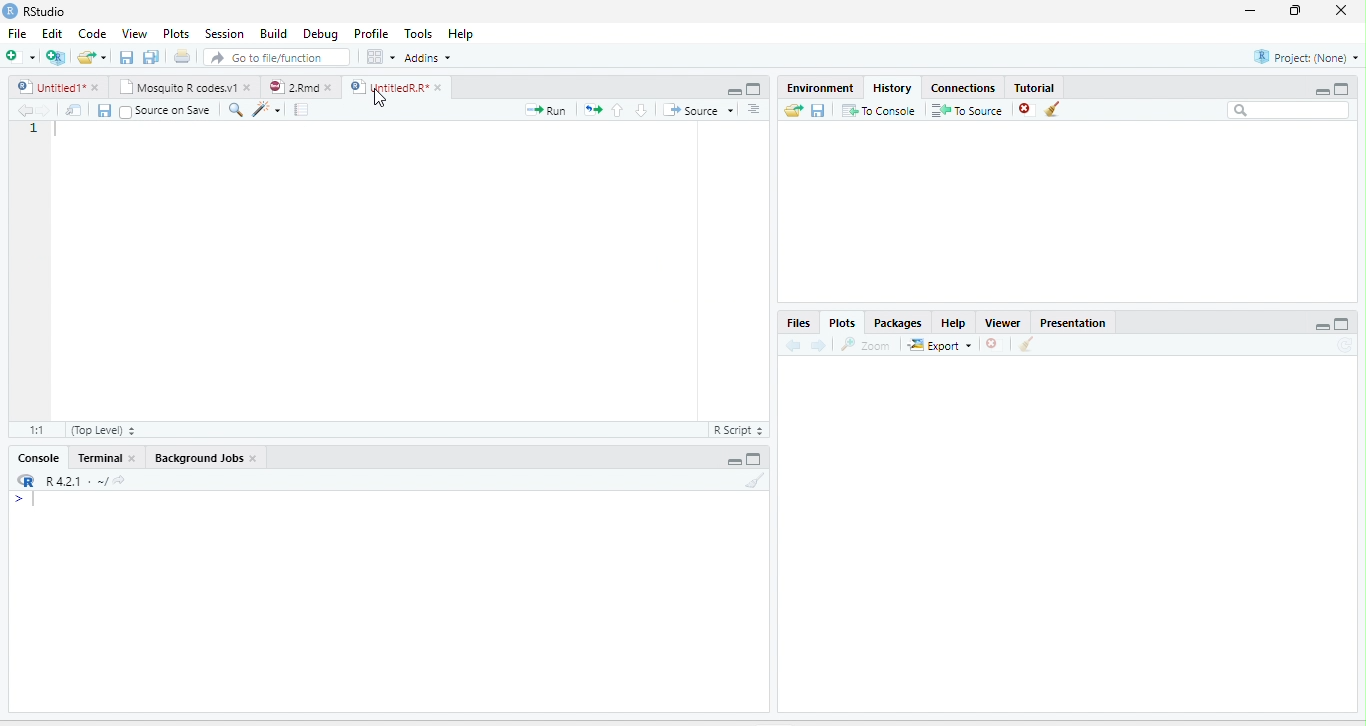  I want to click on Code, so click(93, 33).